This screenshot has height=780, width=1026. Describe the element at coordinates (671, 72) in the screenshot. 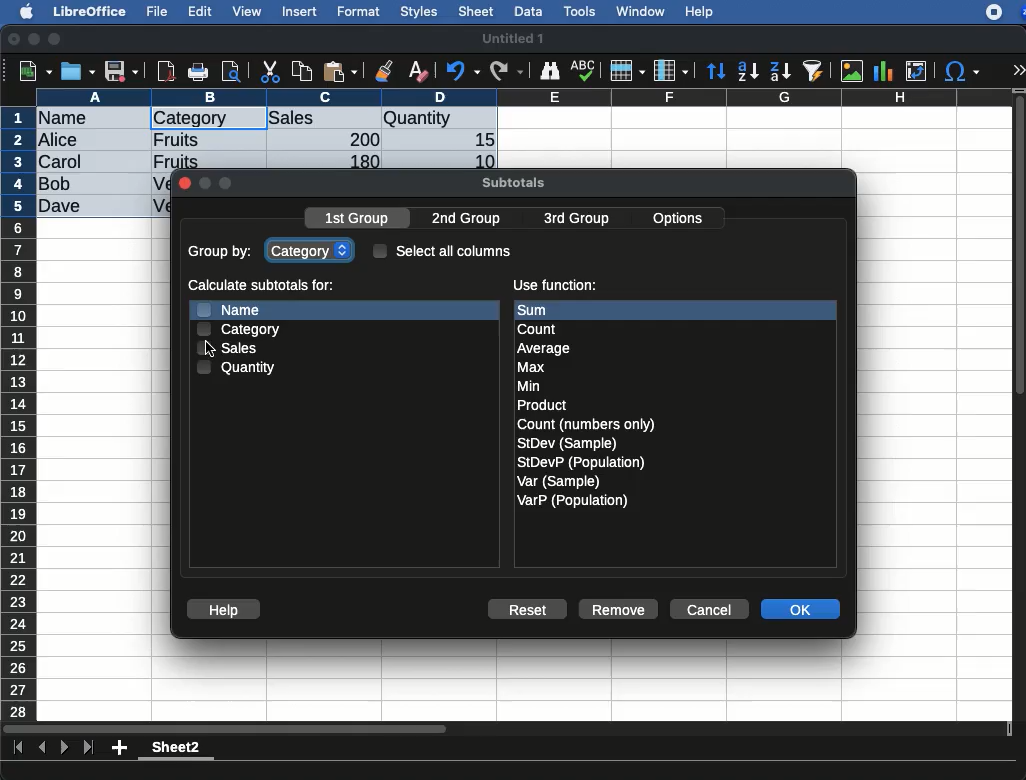

I see `column` at that location.